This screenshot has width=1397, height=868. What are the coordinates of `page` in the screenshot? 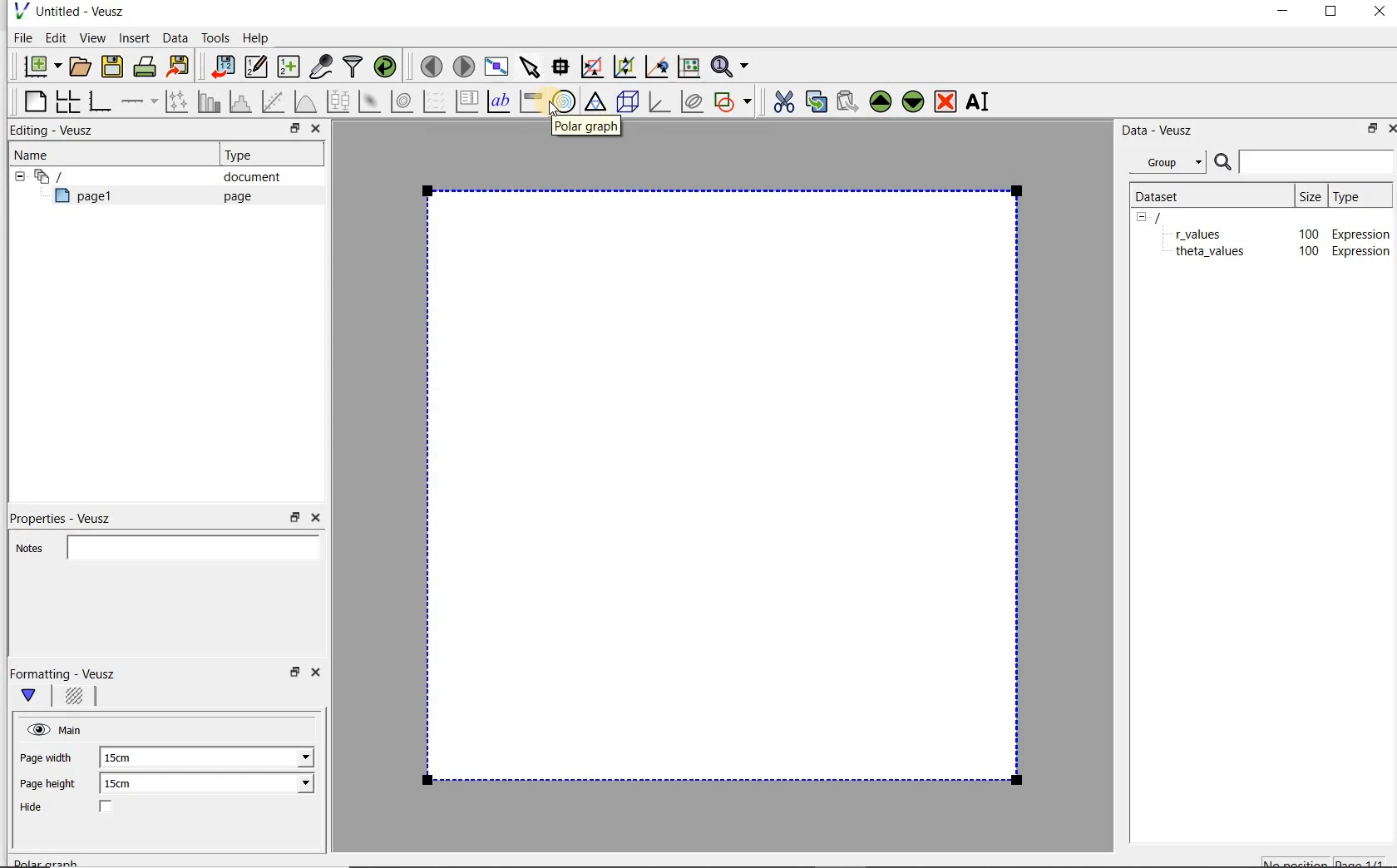 It's located at (234, 196).